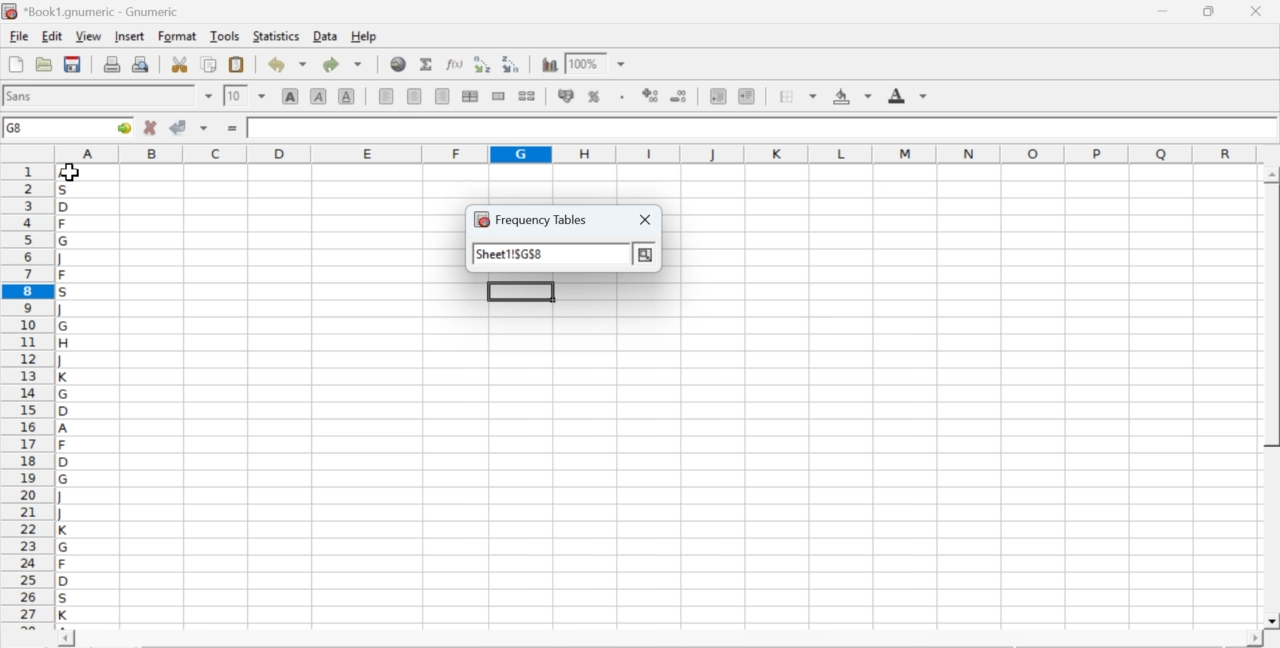 The width and height of the screenshot is (1280, 648). What do you see at coordinates (262, 95) in the screenshot?
I see `drop down` at bounding box center [262, 95].